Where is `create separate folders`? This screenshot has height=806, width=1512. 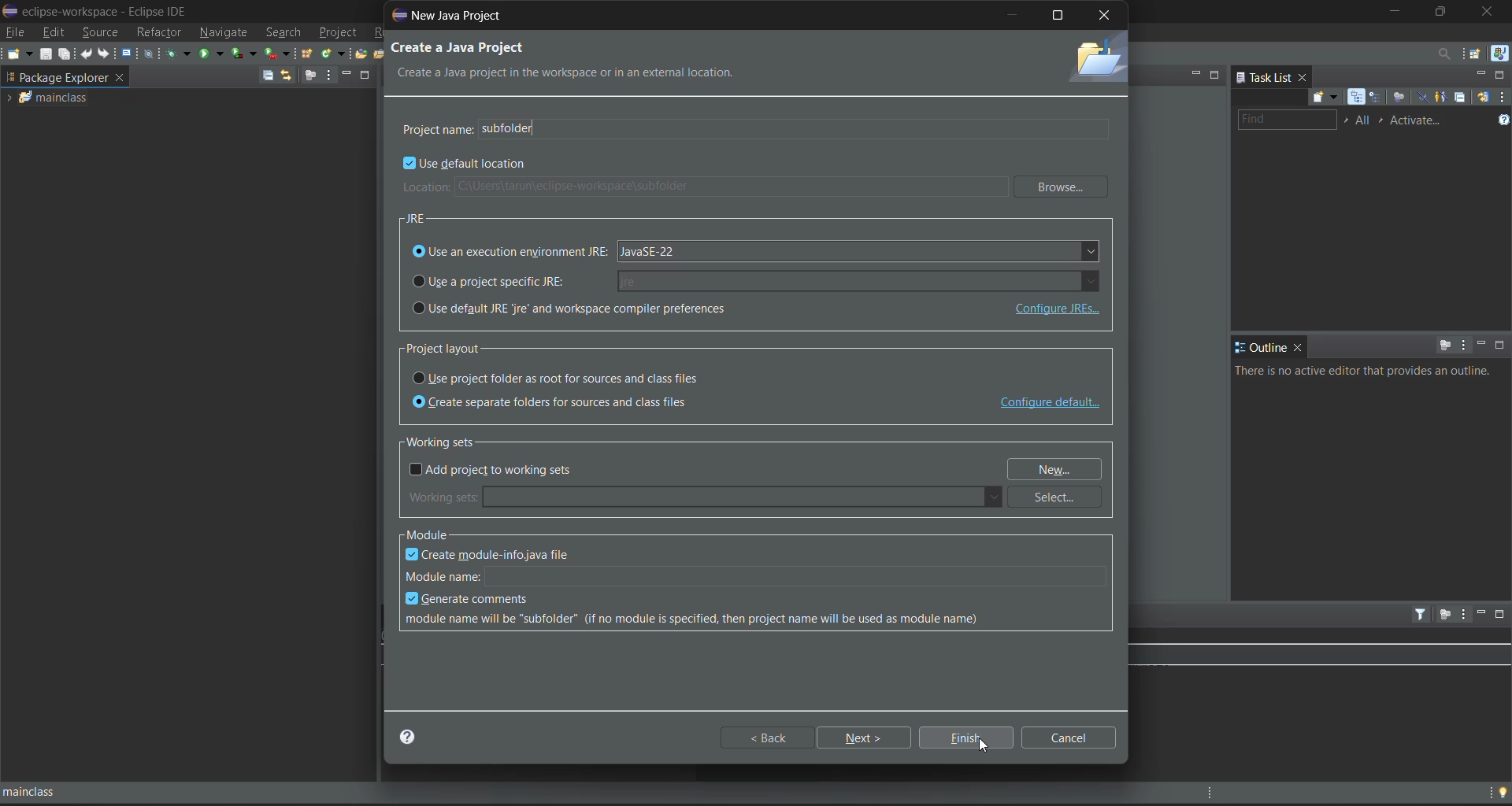 create separate folders is located at coordinates (561, 403).